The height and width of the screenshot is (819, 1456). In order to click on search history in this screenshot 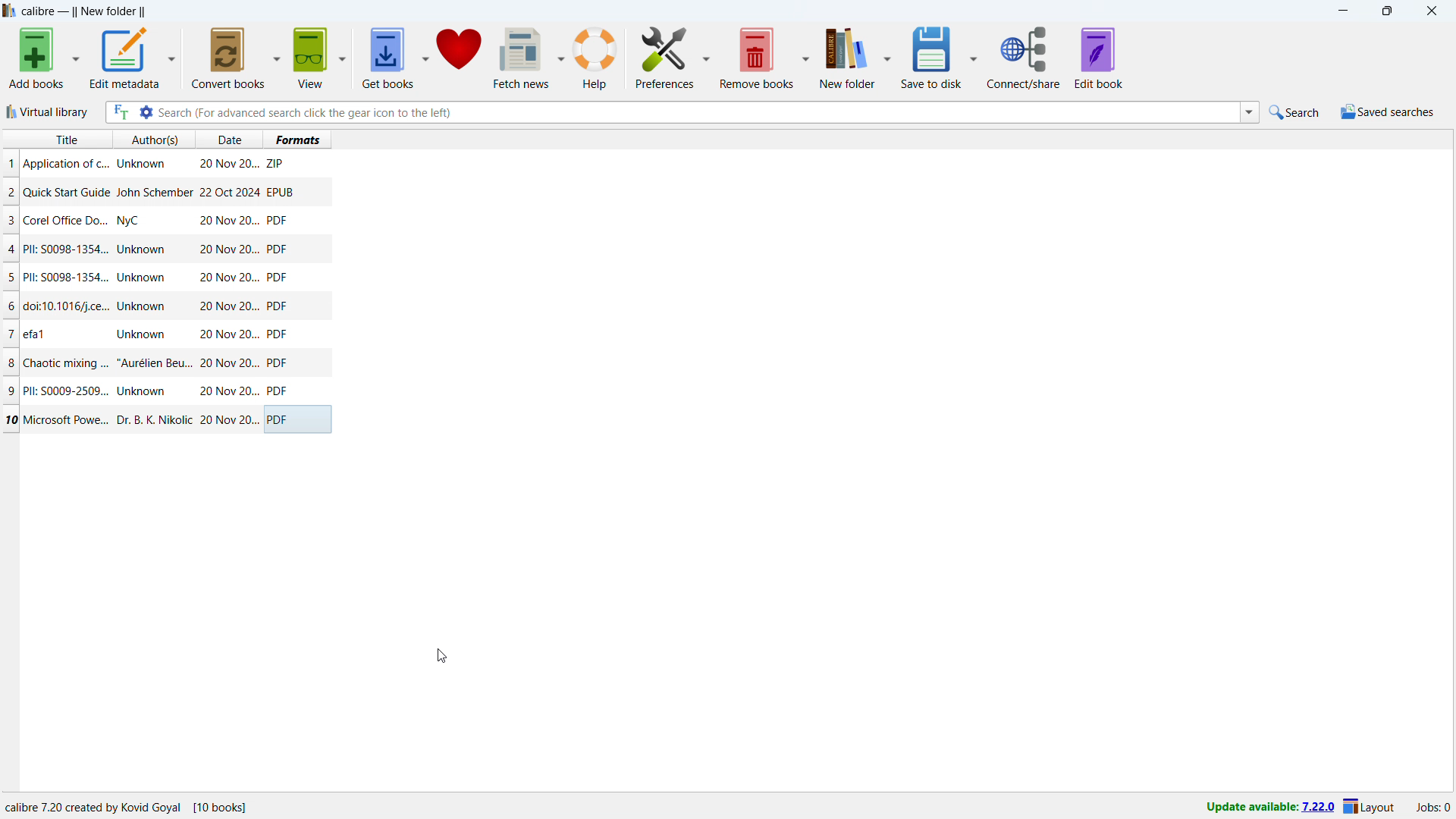, I will do `click(1249, 113)`.